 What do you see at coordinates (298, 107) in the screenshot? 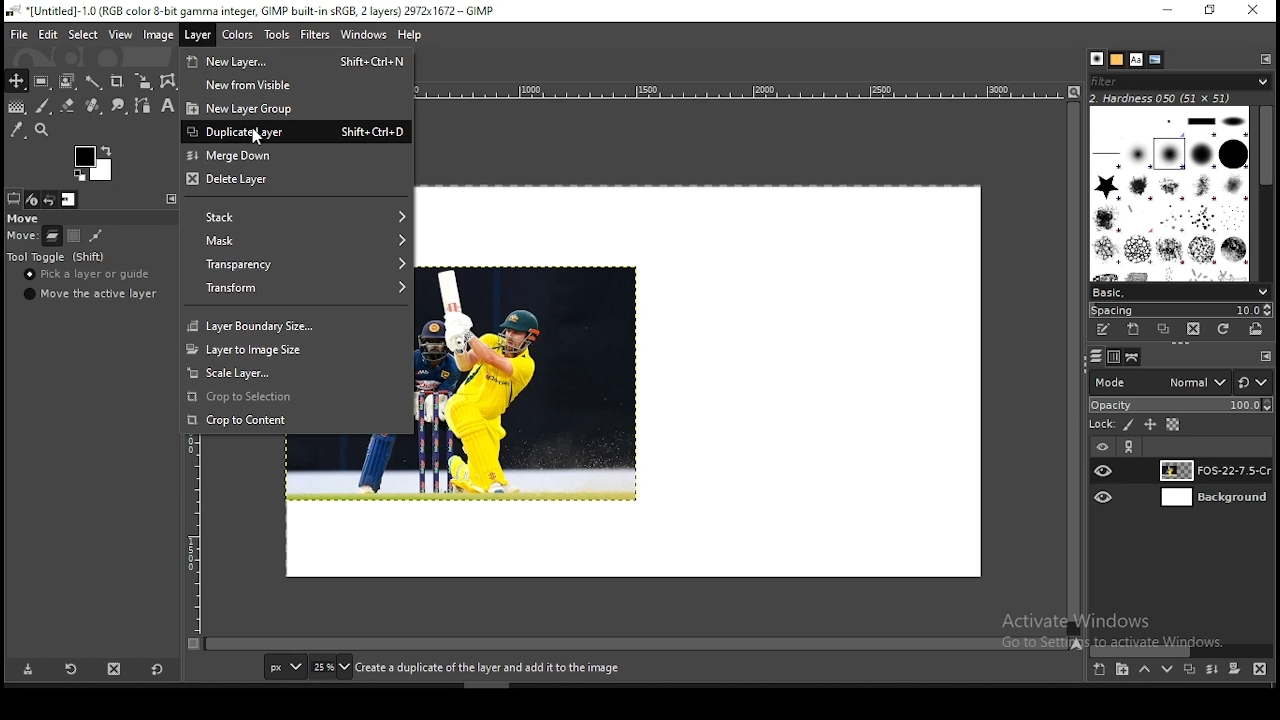
I see `new layer group` at bounding box center [298, 107].